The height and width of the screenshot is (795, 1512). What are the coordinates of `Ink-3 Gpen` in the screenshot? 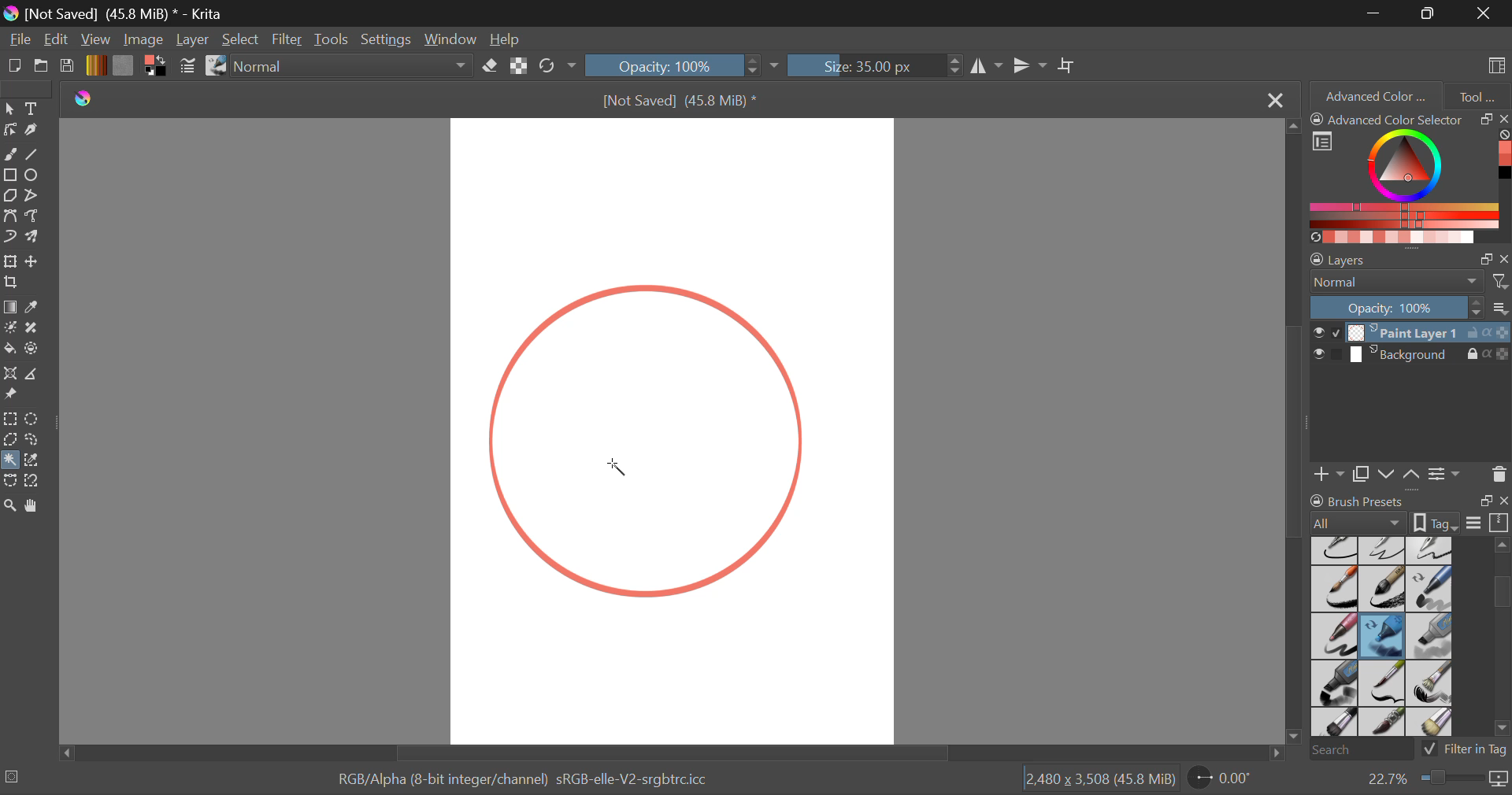 It's located at (1384, 550).